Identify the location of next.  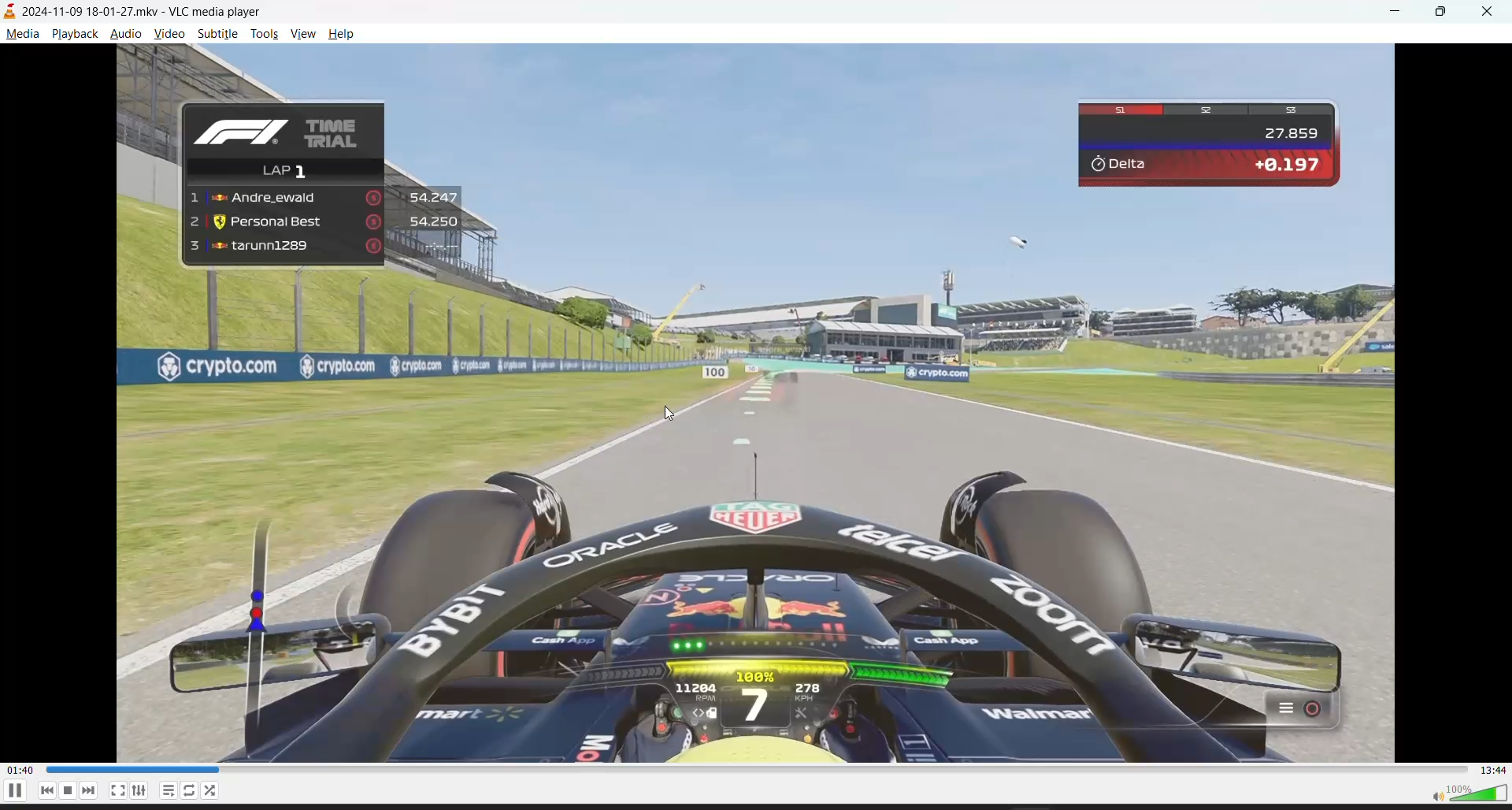
(93, 791).